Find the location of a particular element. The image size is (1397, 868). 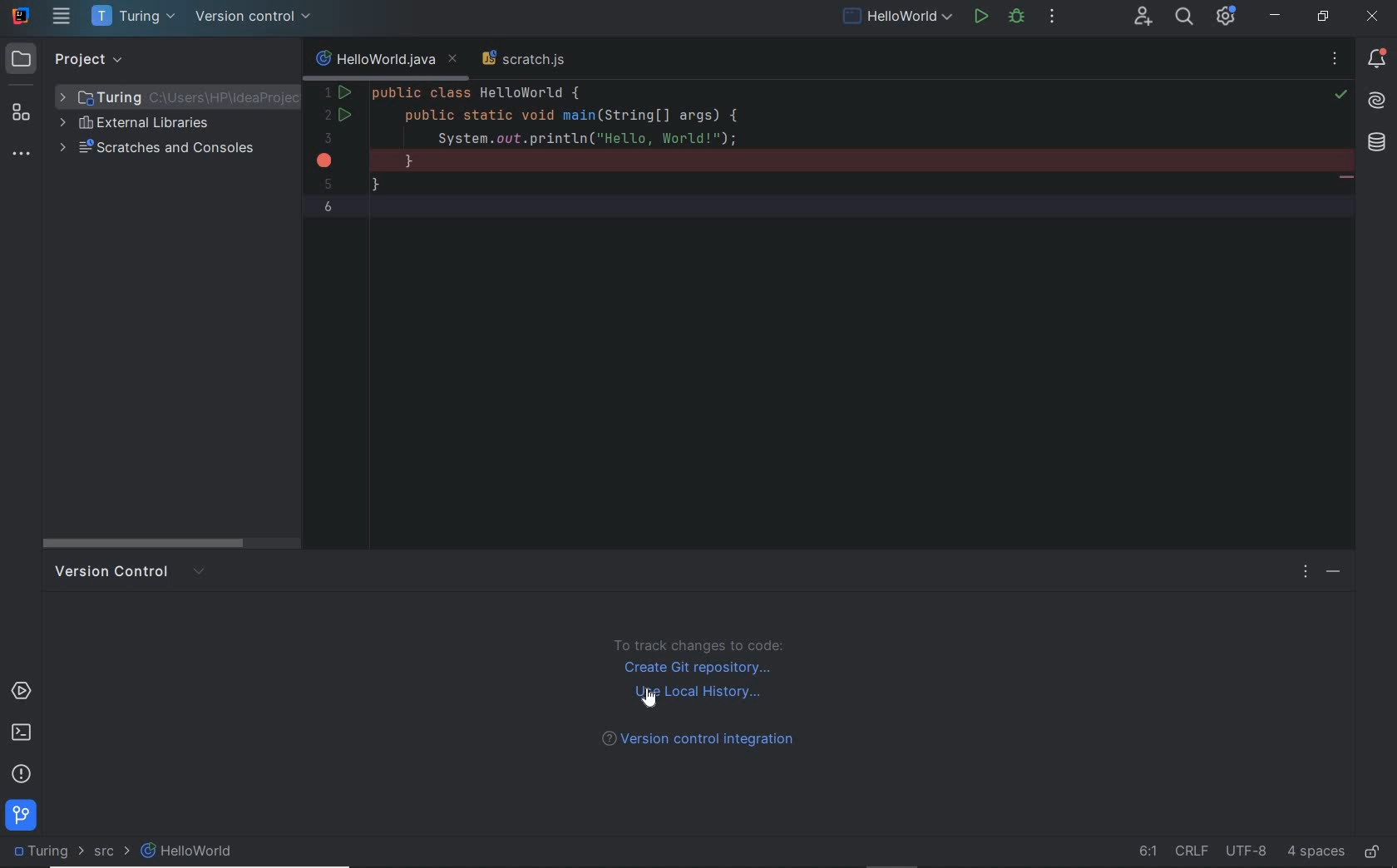

close is located at coordinates (1371, 16).